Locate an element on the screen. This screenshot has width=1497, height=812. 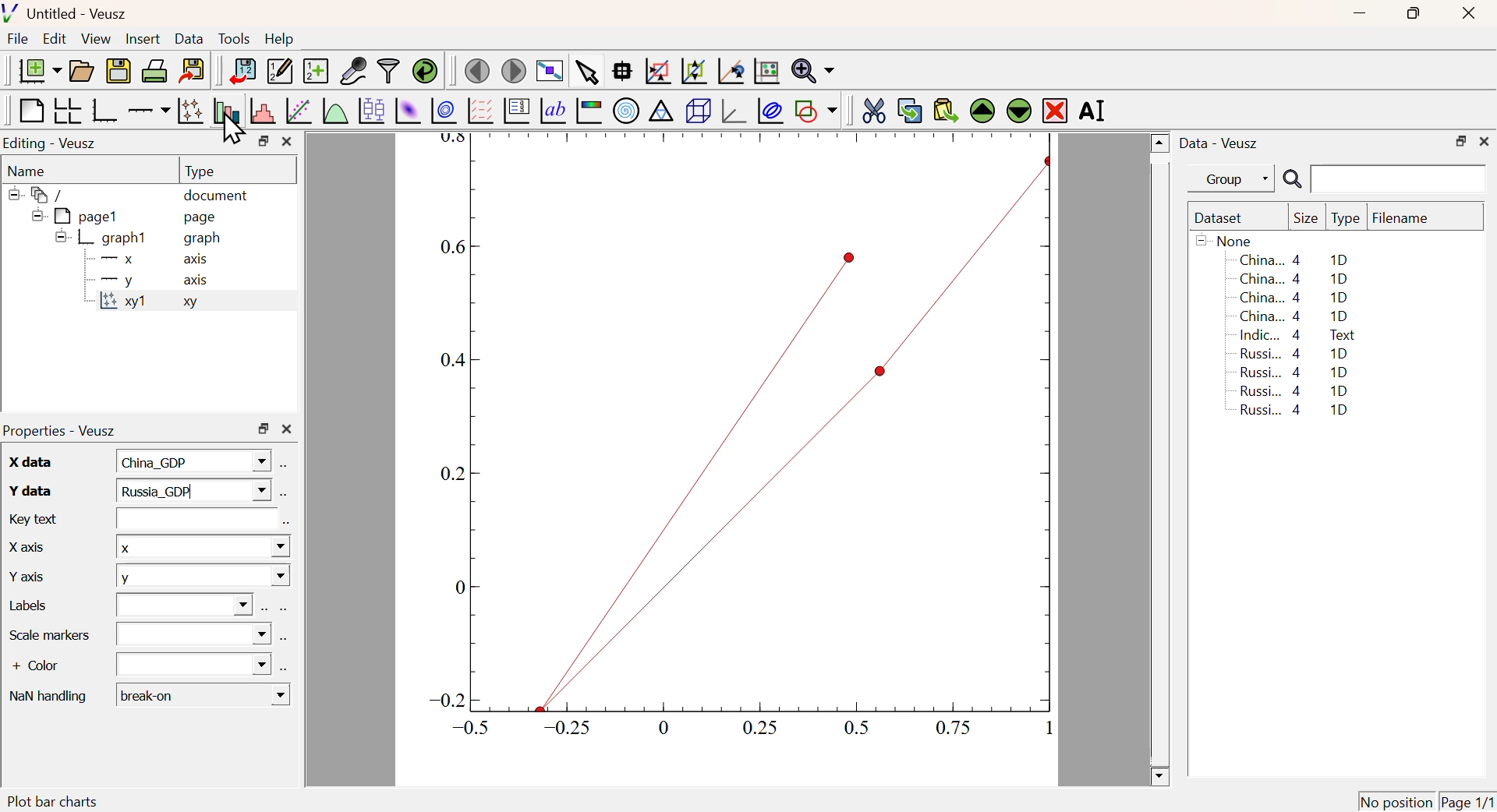
Filename is located at coordinates (1408, 219).